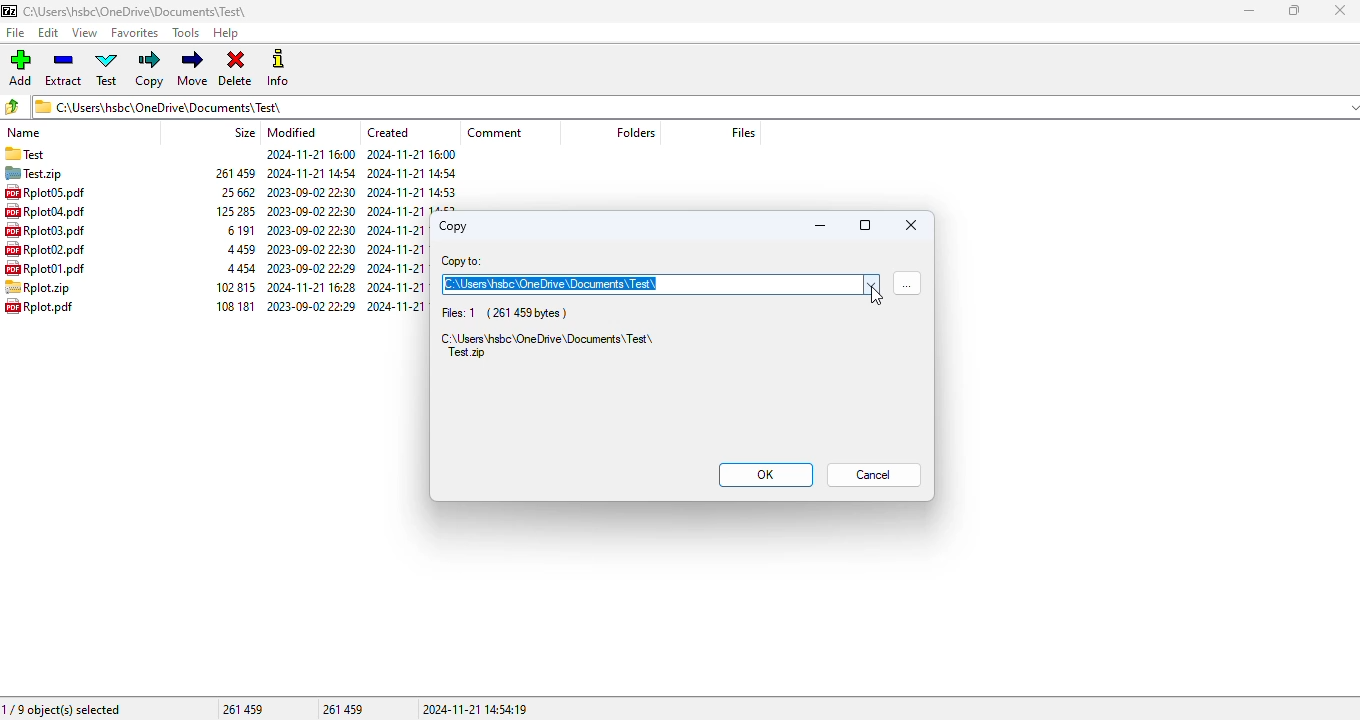  I want to click on logo, so click(10, 11).